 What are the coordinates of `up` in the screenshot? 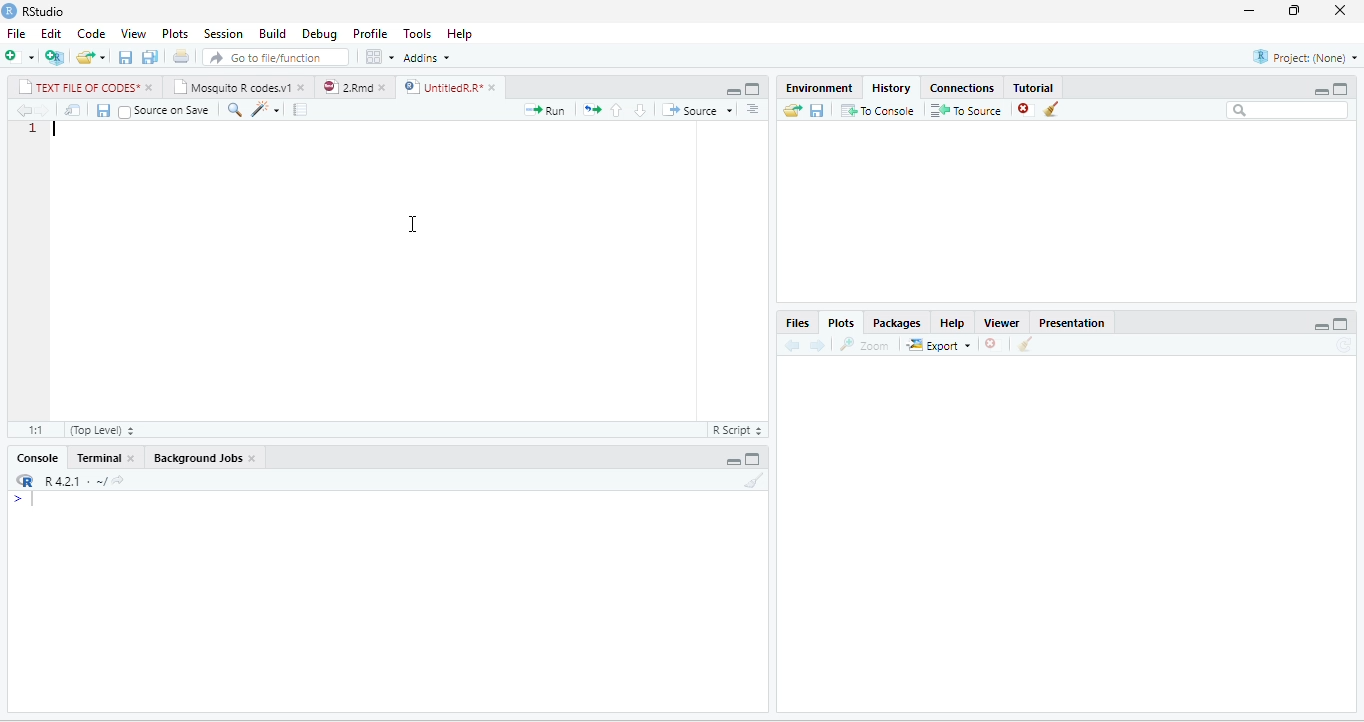 It's located at (616, 110).